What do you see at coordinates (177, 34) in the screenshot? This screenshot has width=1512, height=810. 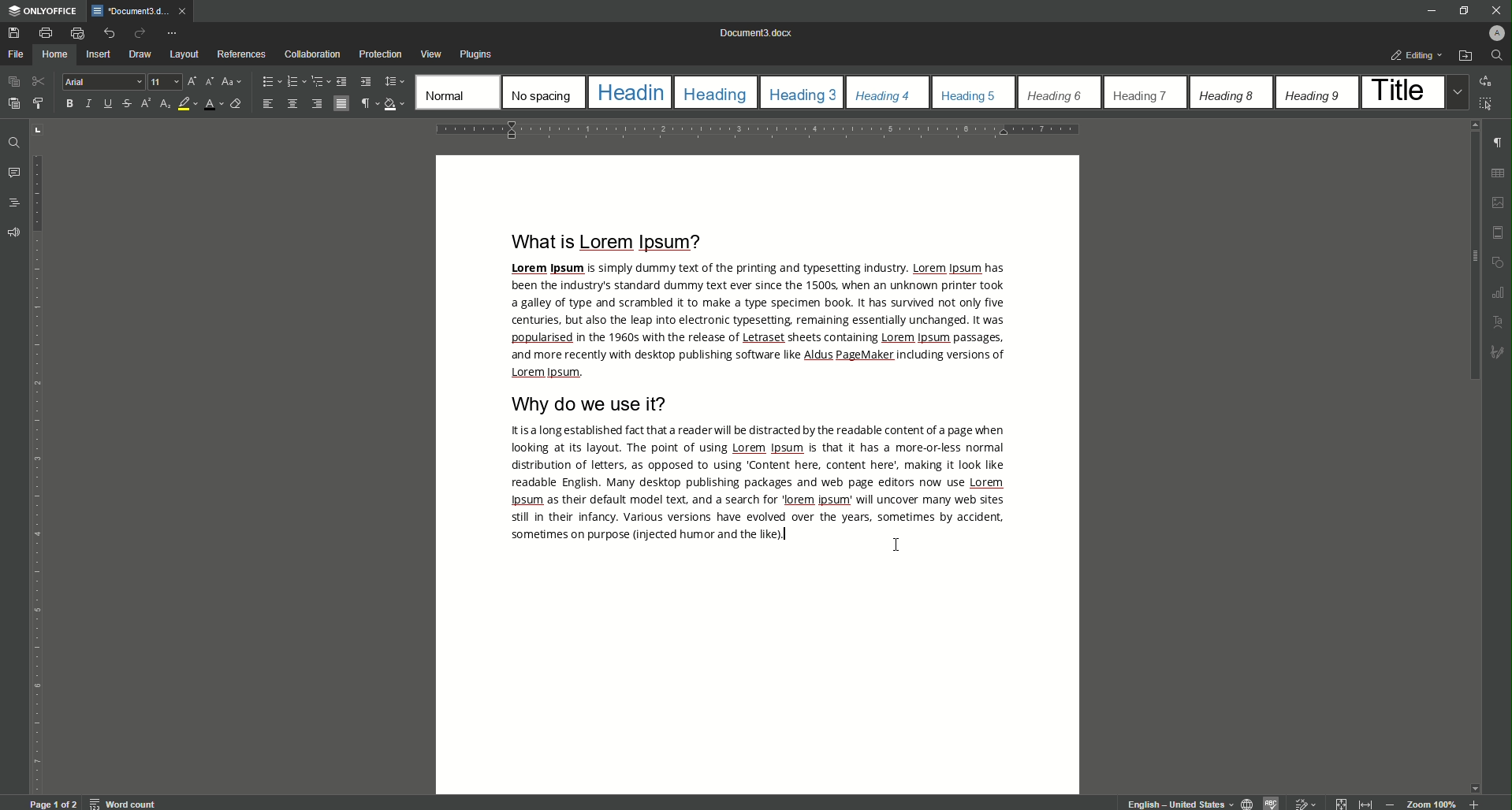 I see `Customize` at bounding box center [177, 34].